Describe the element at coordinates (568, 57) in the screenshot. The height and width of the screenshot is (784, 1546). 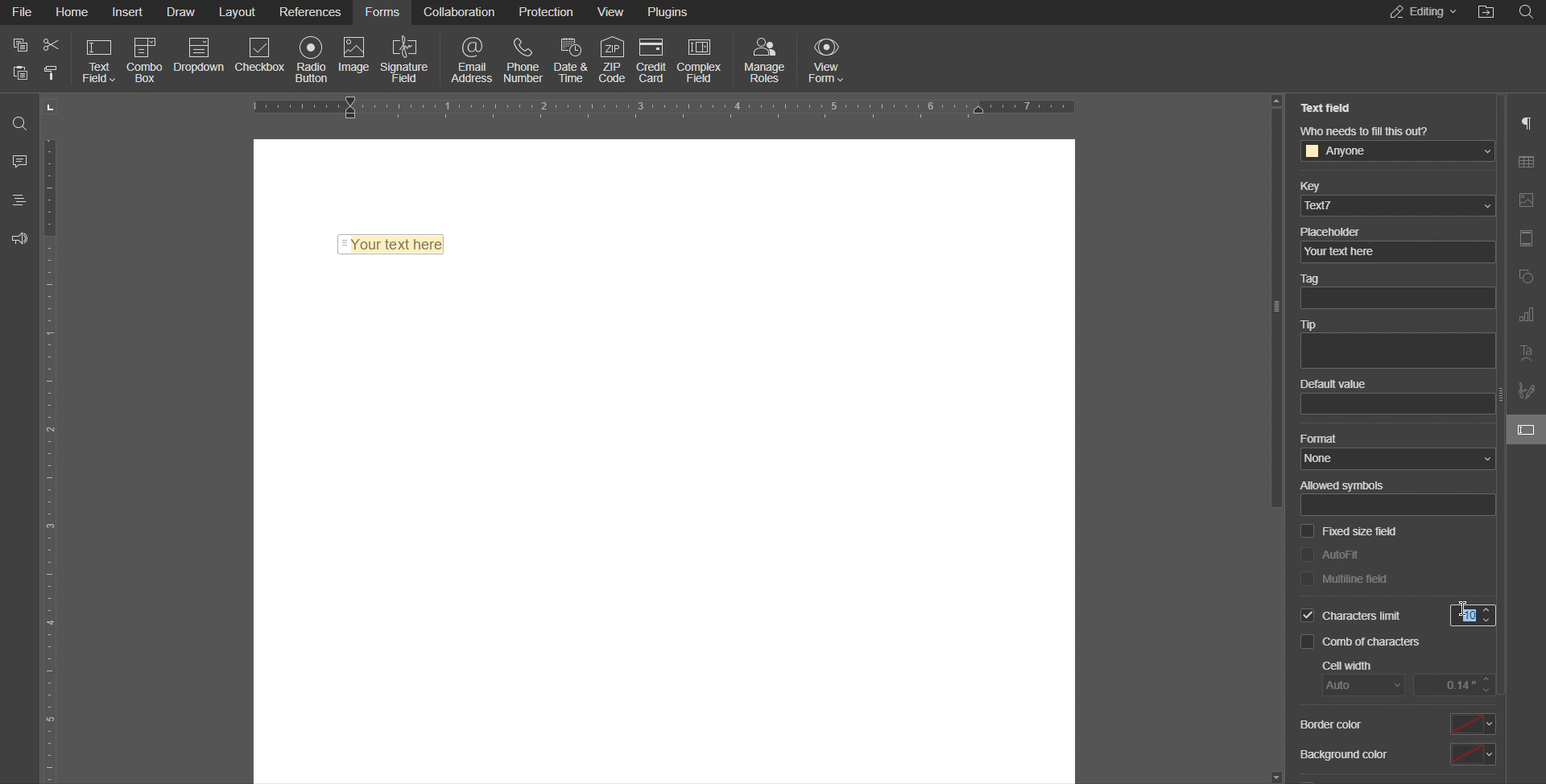
I see `Date & Time` at that location.